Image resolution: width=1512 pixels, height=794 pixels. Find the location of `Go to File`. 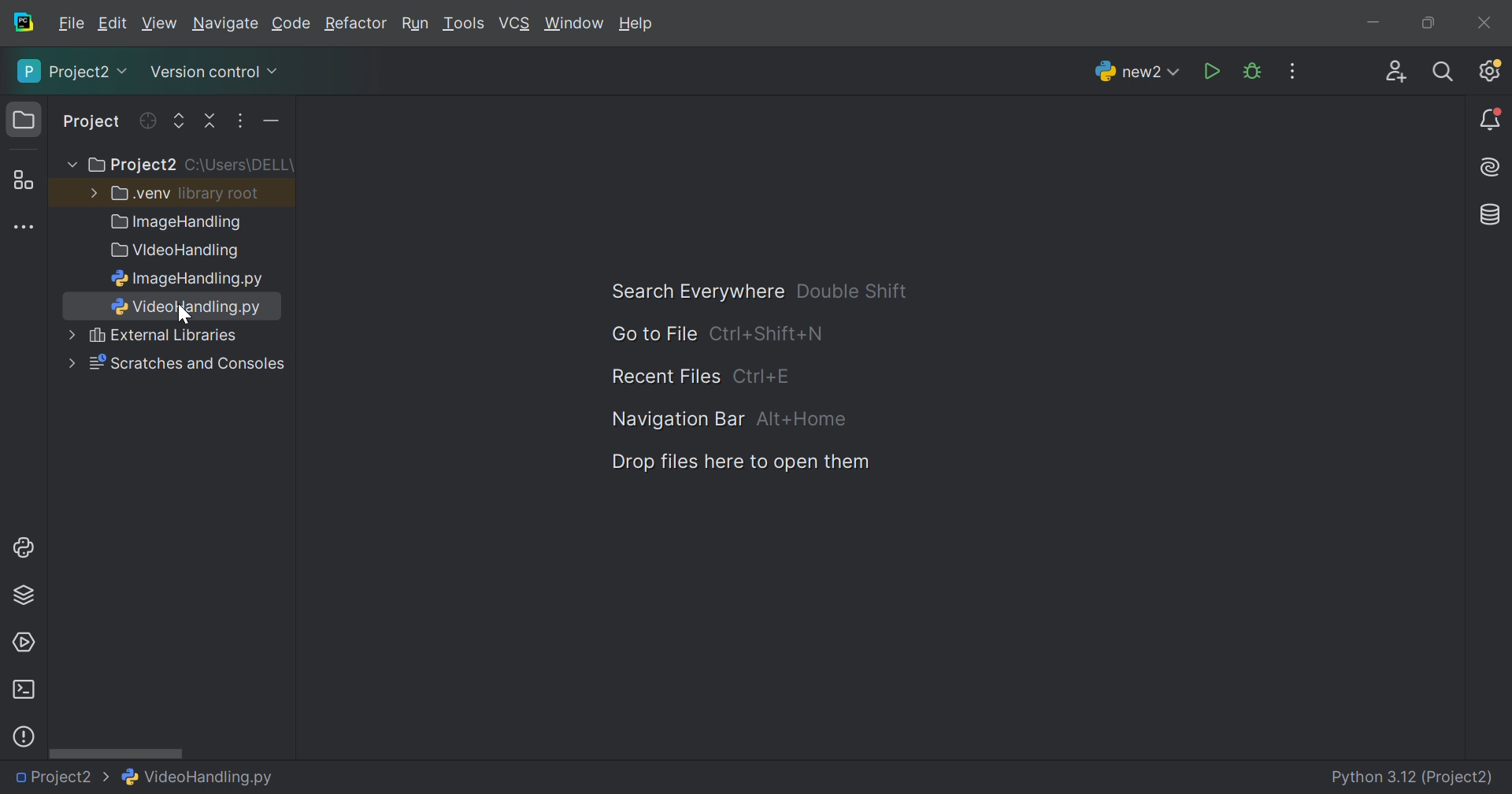

Go to File is located at coordinates (653, 334).